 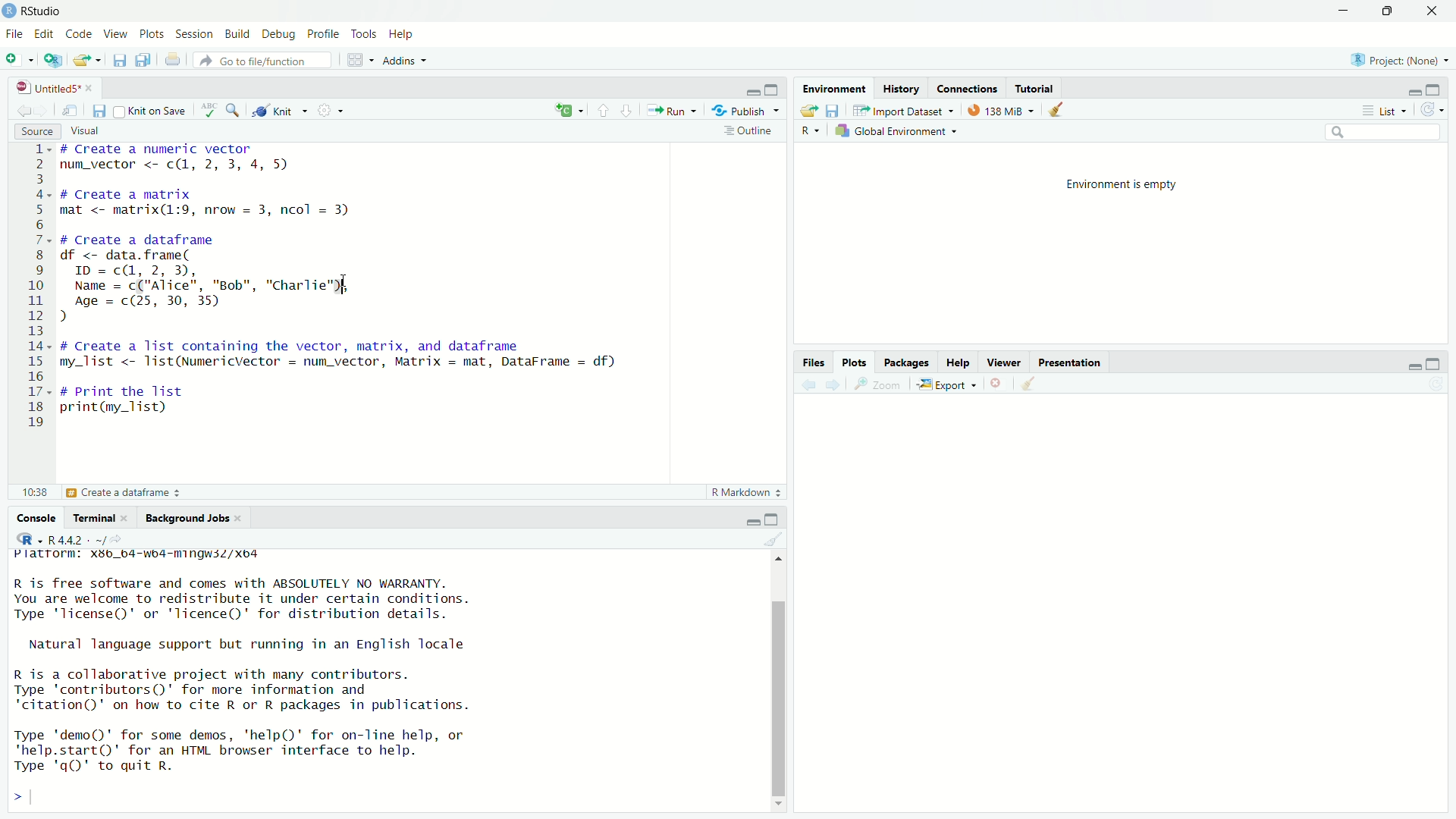 I want to click on scroll bar, so click(x=780, y=678).